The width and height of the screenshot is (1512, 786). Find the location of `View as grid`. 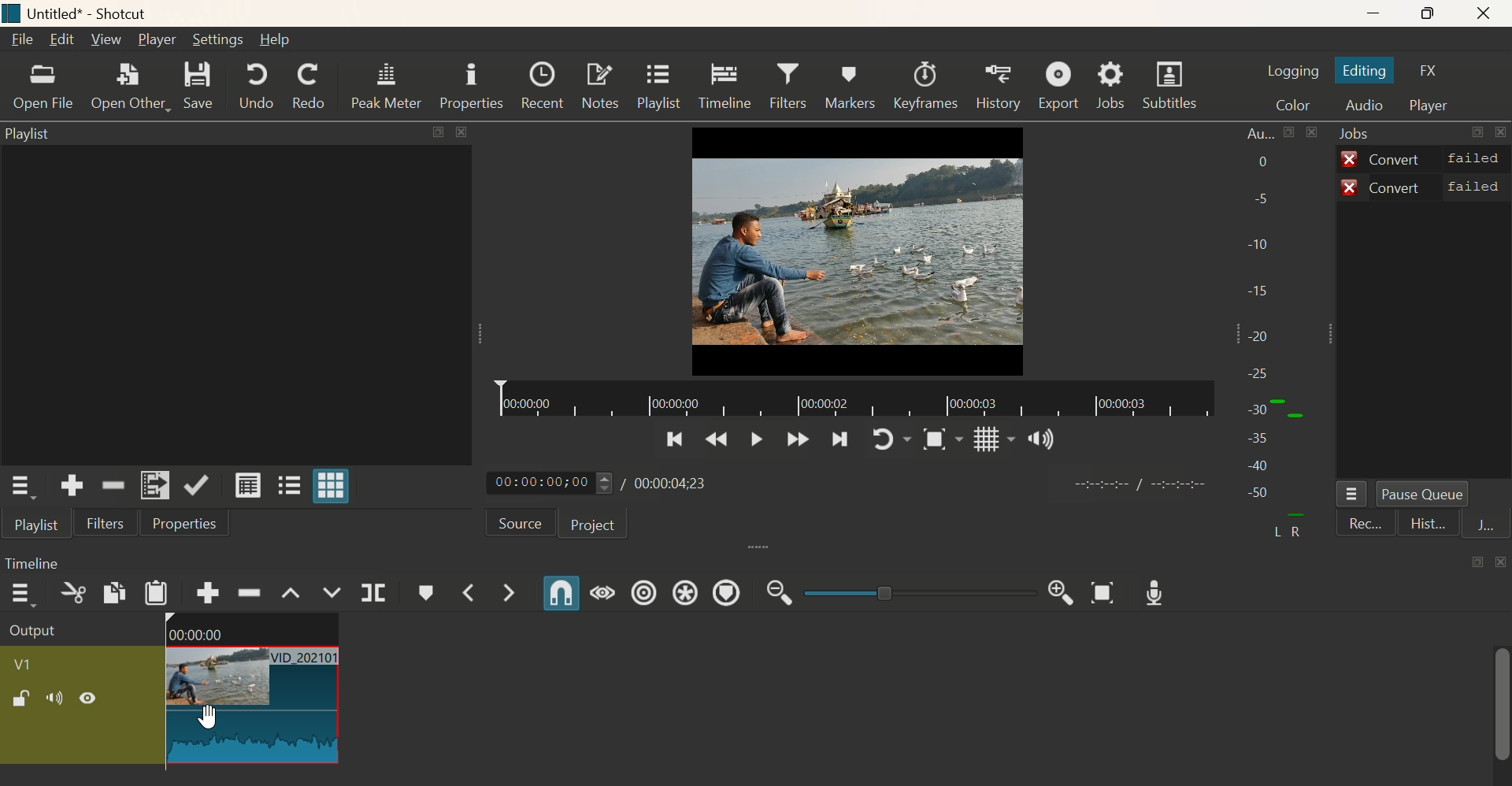

View as grid is located at coordinates (336, 485).